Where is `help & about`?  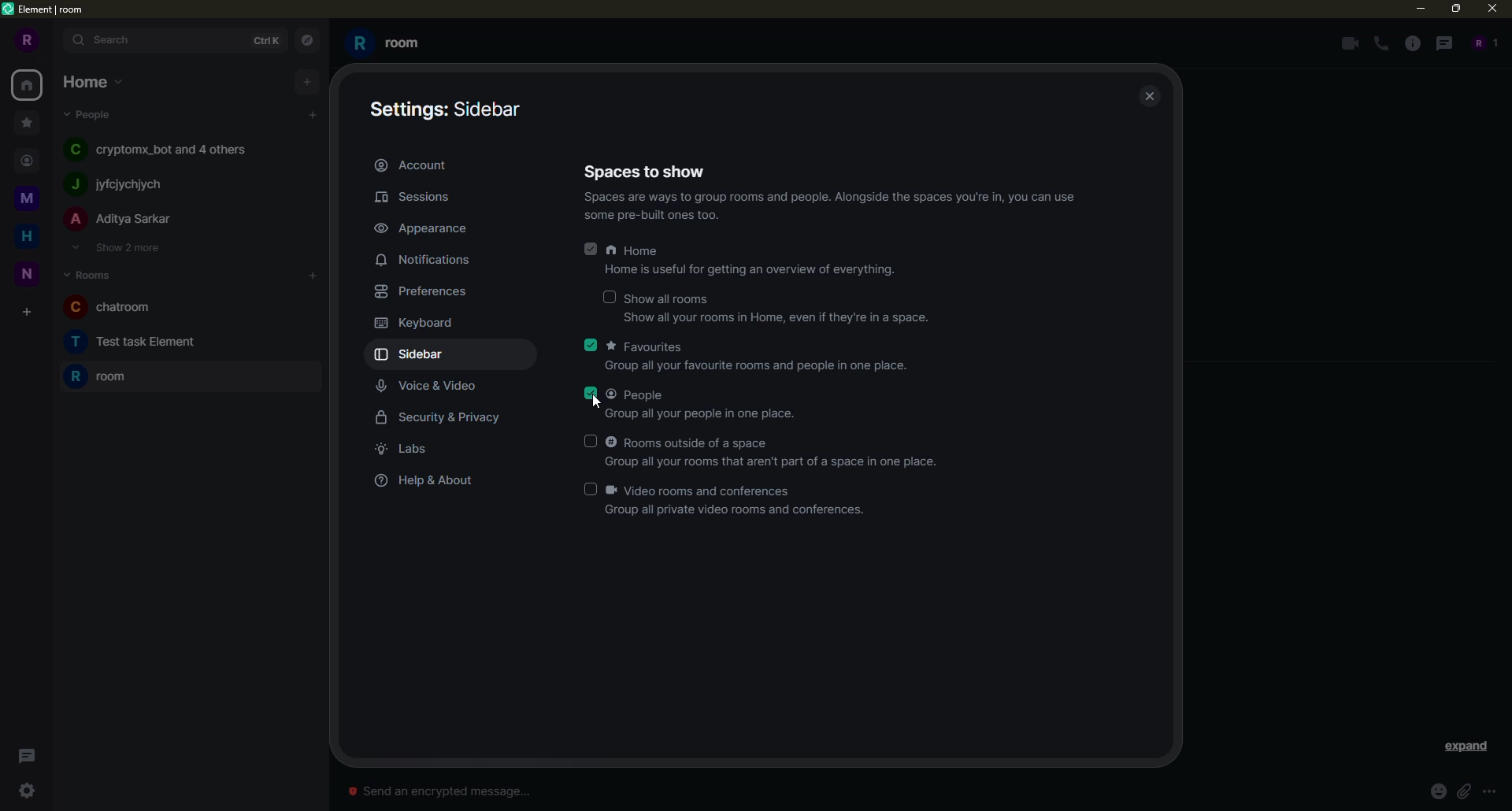
help & about is located at coordinates (423, 481).